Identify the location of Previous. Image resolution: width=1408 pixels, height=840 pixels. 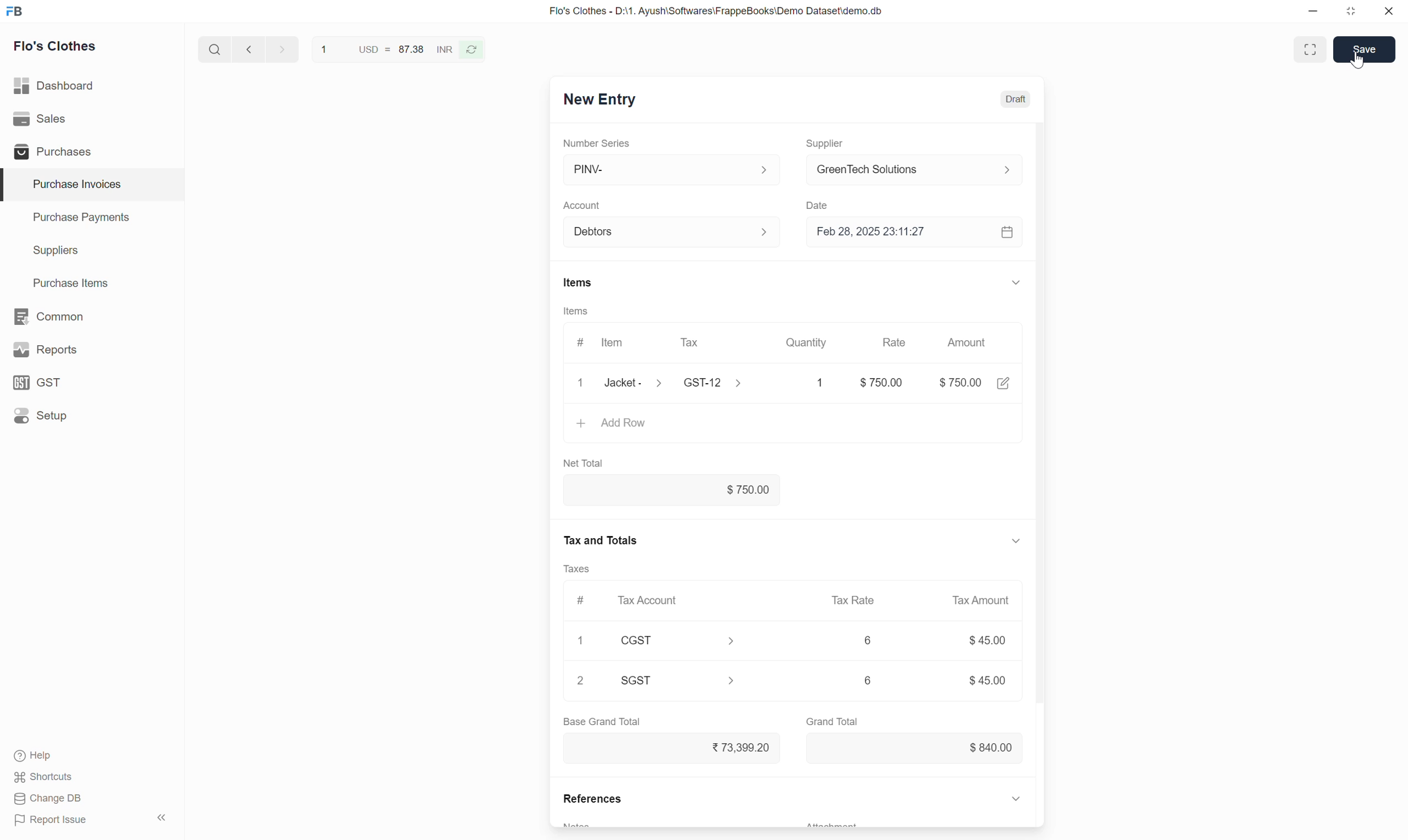
(249, 49).